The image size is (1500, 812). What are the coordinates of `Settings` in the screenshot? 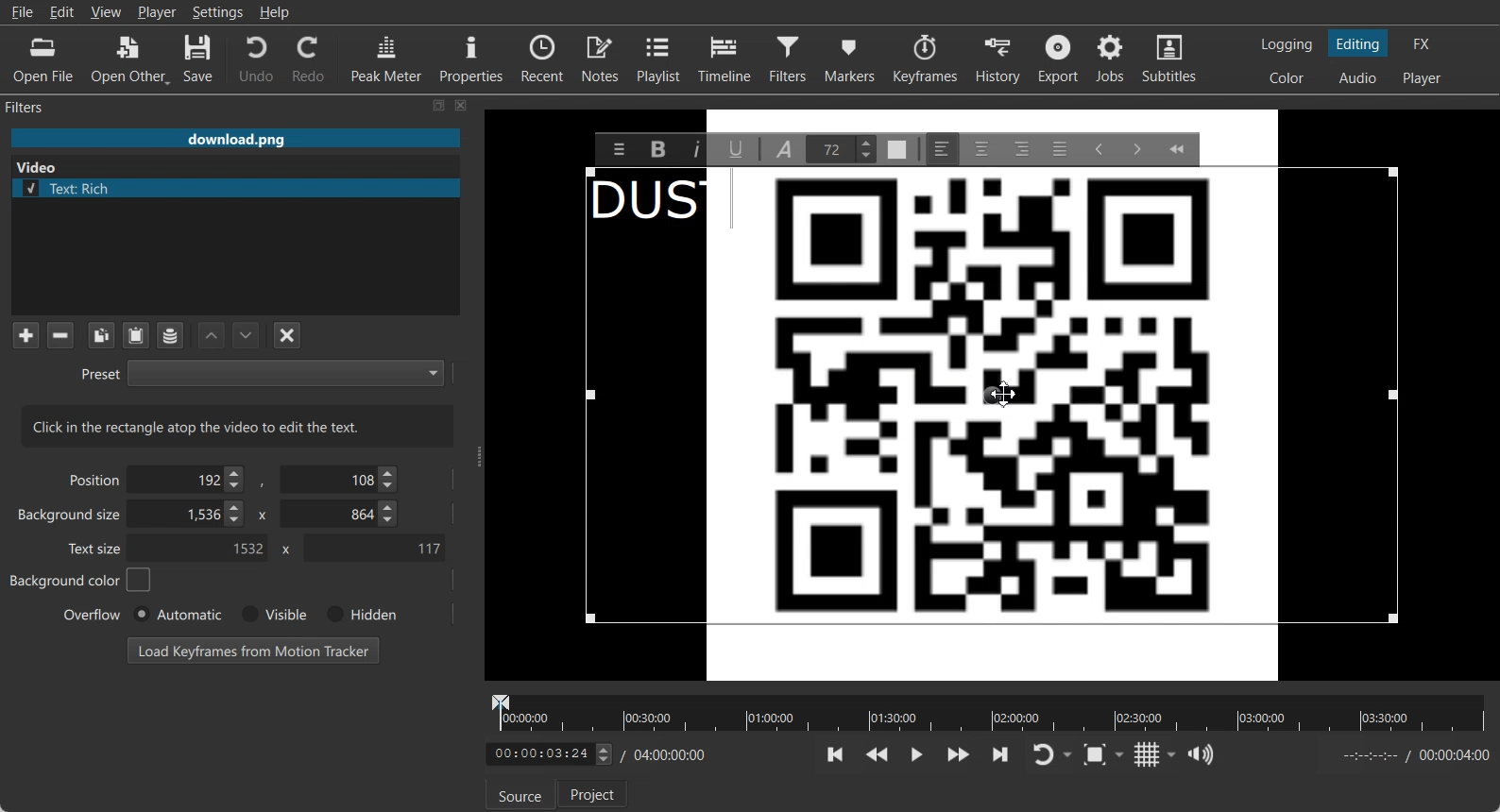 It's located at (218, 12).